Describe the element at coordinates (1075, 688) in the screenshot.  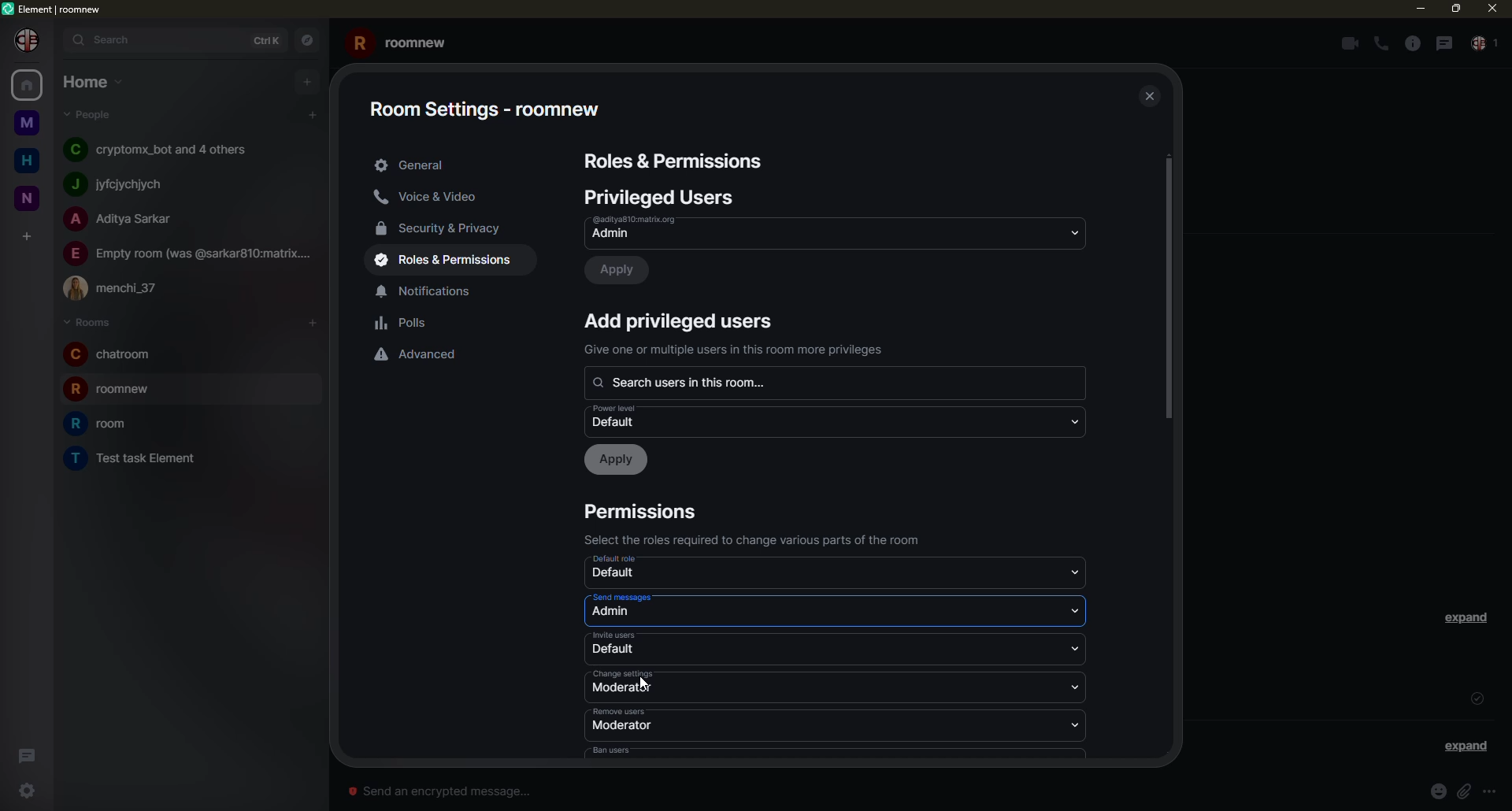
I see `drop` at that location.